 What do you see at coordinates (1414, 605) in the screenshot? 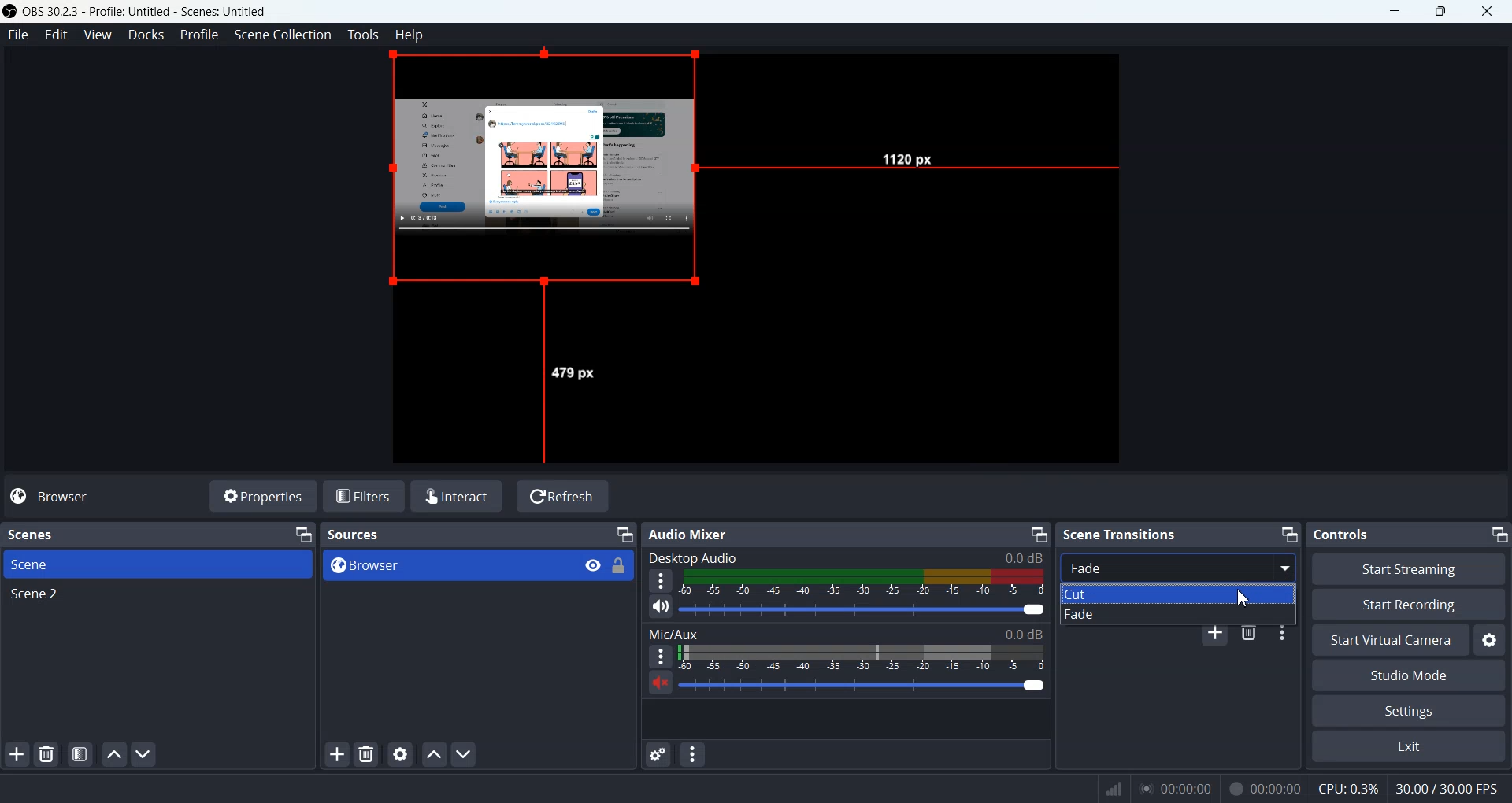
I see `Start Recording` at bounding box center [1414, 605].